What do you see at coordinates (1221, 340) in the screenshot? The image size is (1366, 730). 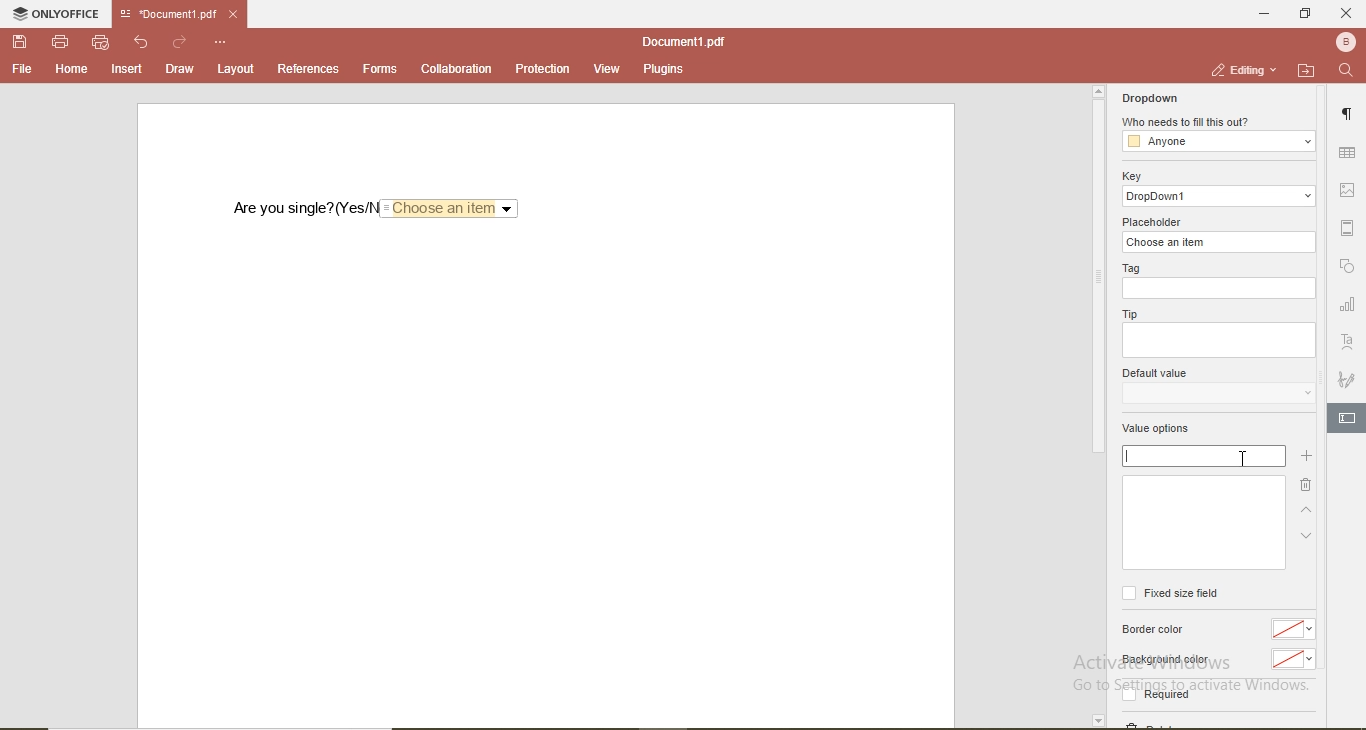 I see `empty box` at bounding box center [1221, 340].